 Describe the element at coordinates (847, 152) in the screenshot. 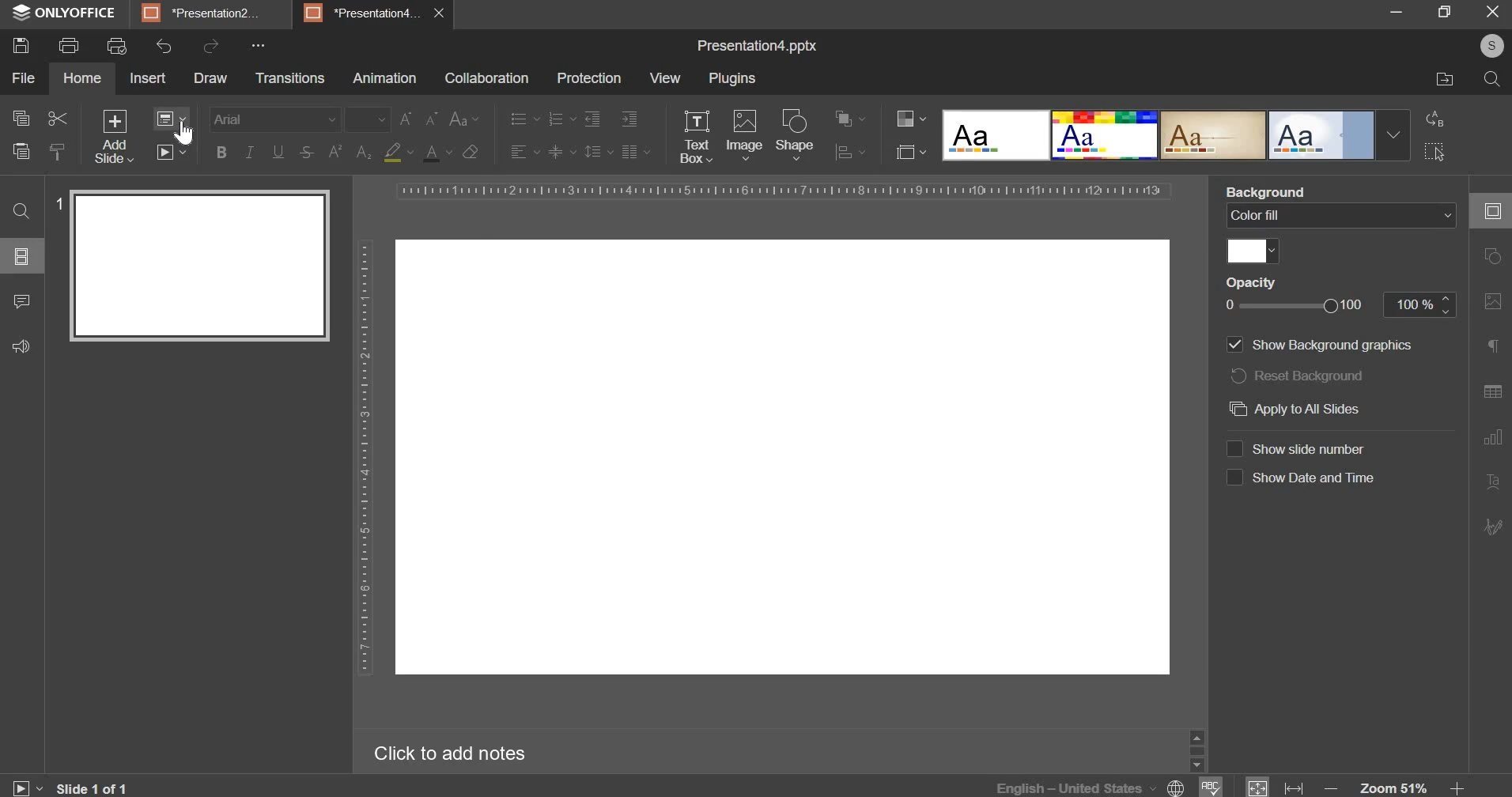

I see `distribution` at that location.